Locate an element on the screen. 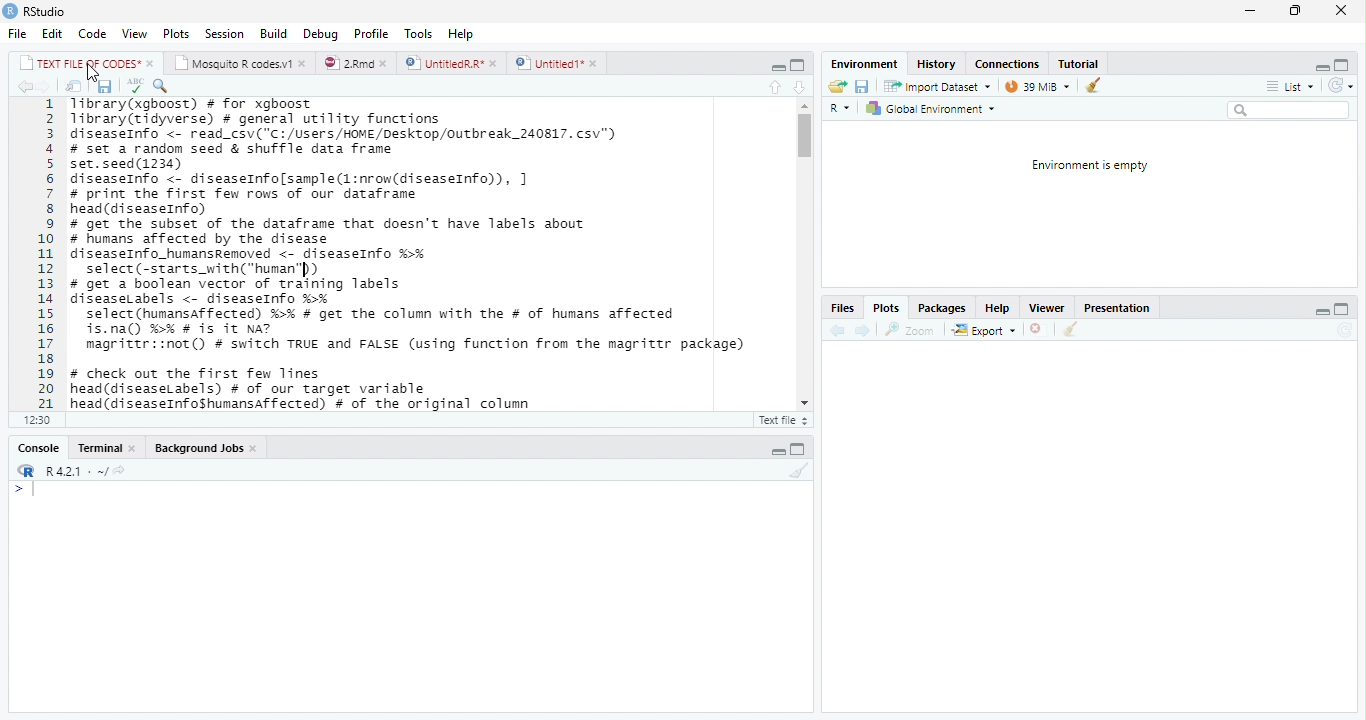 The image size is (1366, 720). # get a boolean vector of training labels
diseaseLabels <-_diseaseInfo %%
select (humansaffected) %>% # get the column with the # of humans affected
is.na() %% # is it Na?
magrittr::not() # switch TRUE and FALSE (using function from the magrittr package) is located at coordinates (411, 318).